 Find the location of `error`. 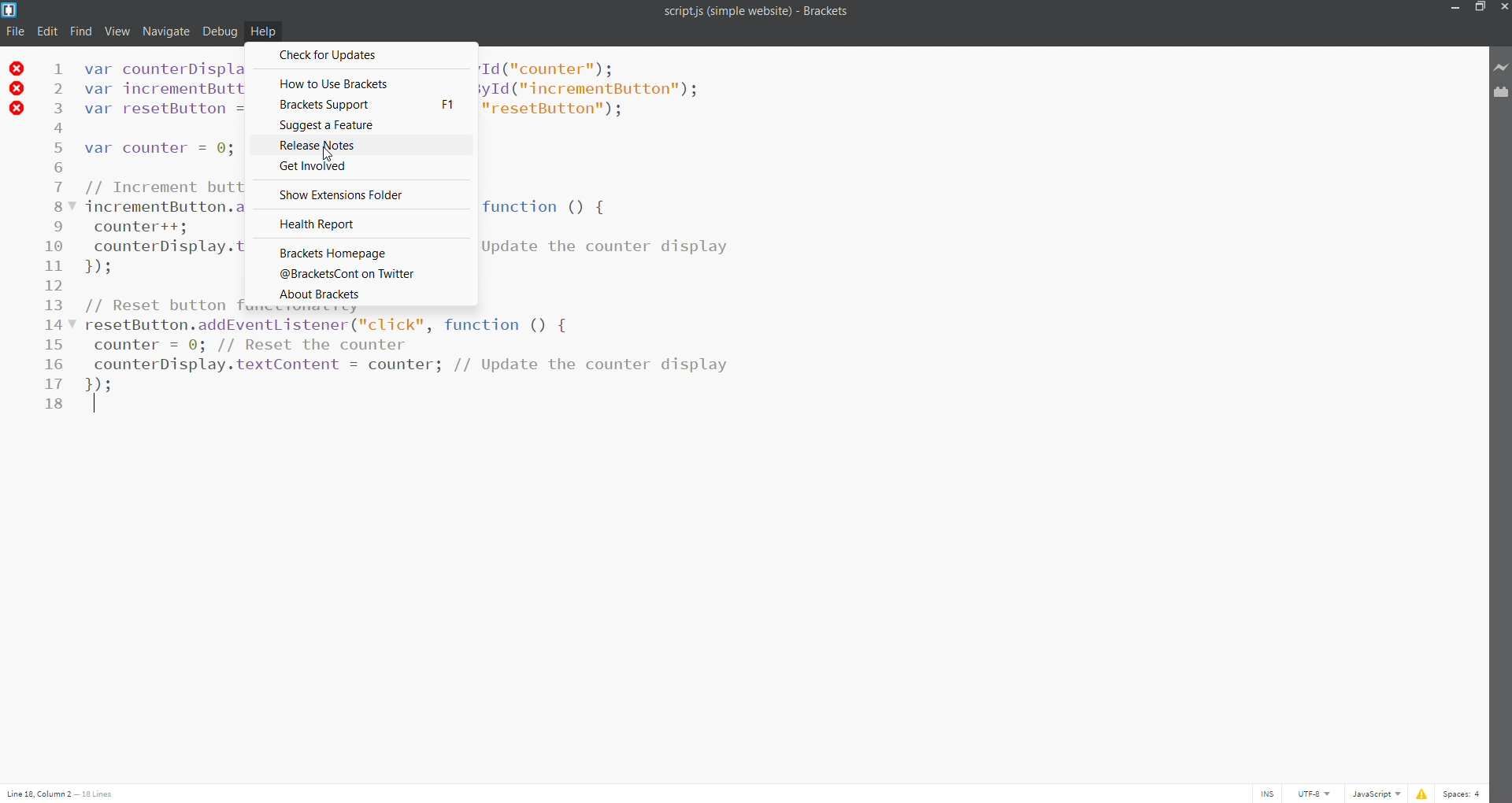

error is located at coordinates (1421, 792).